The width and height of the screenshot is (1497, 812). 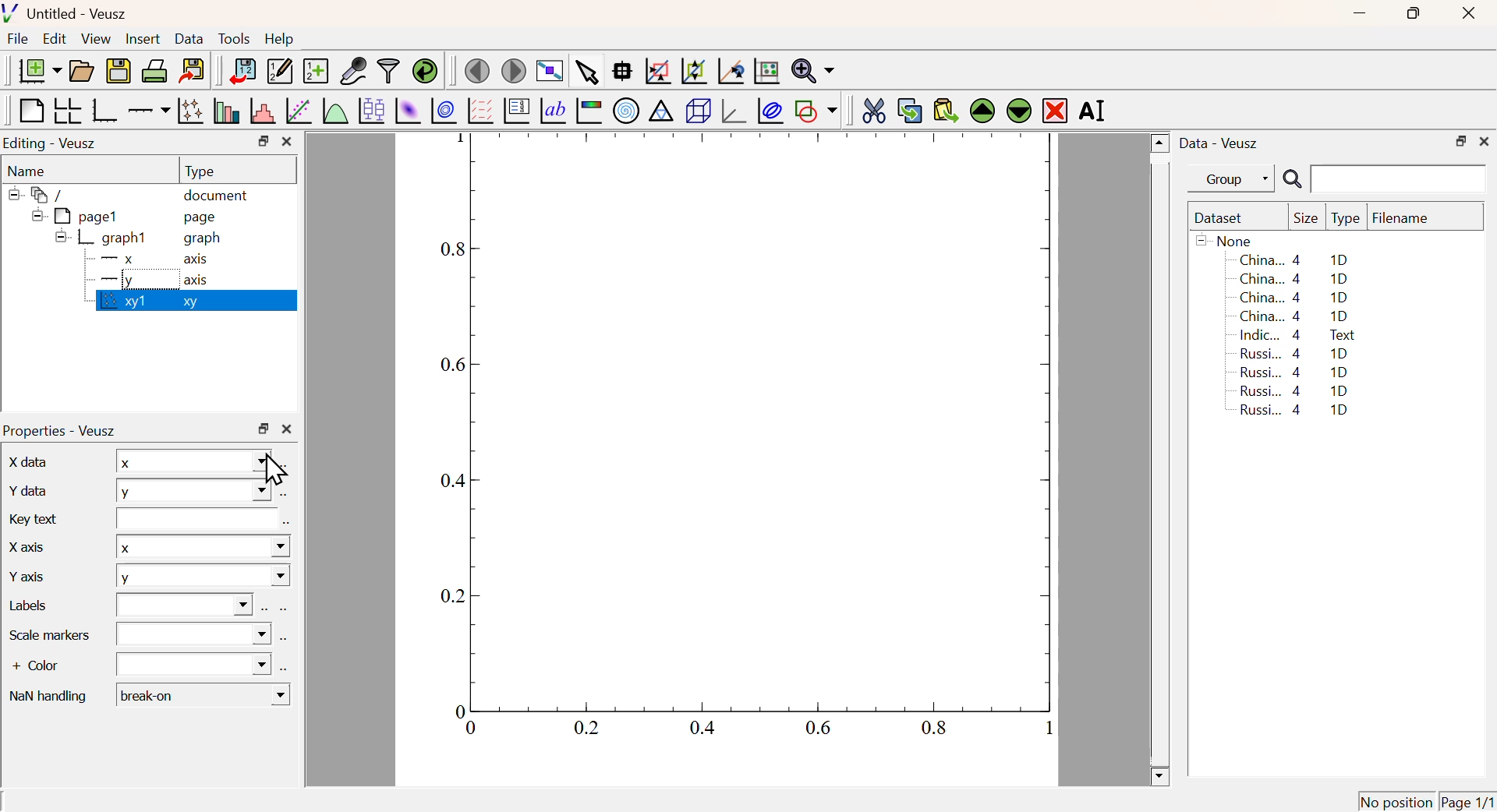 I want to click on Filename, so click(x=1408, y=219).